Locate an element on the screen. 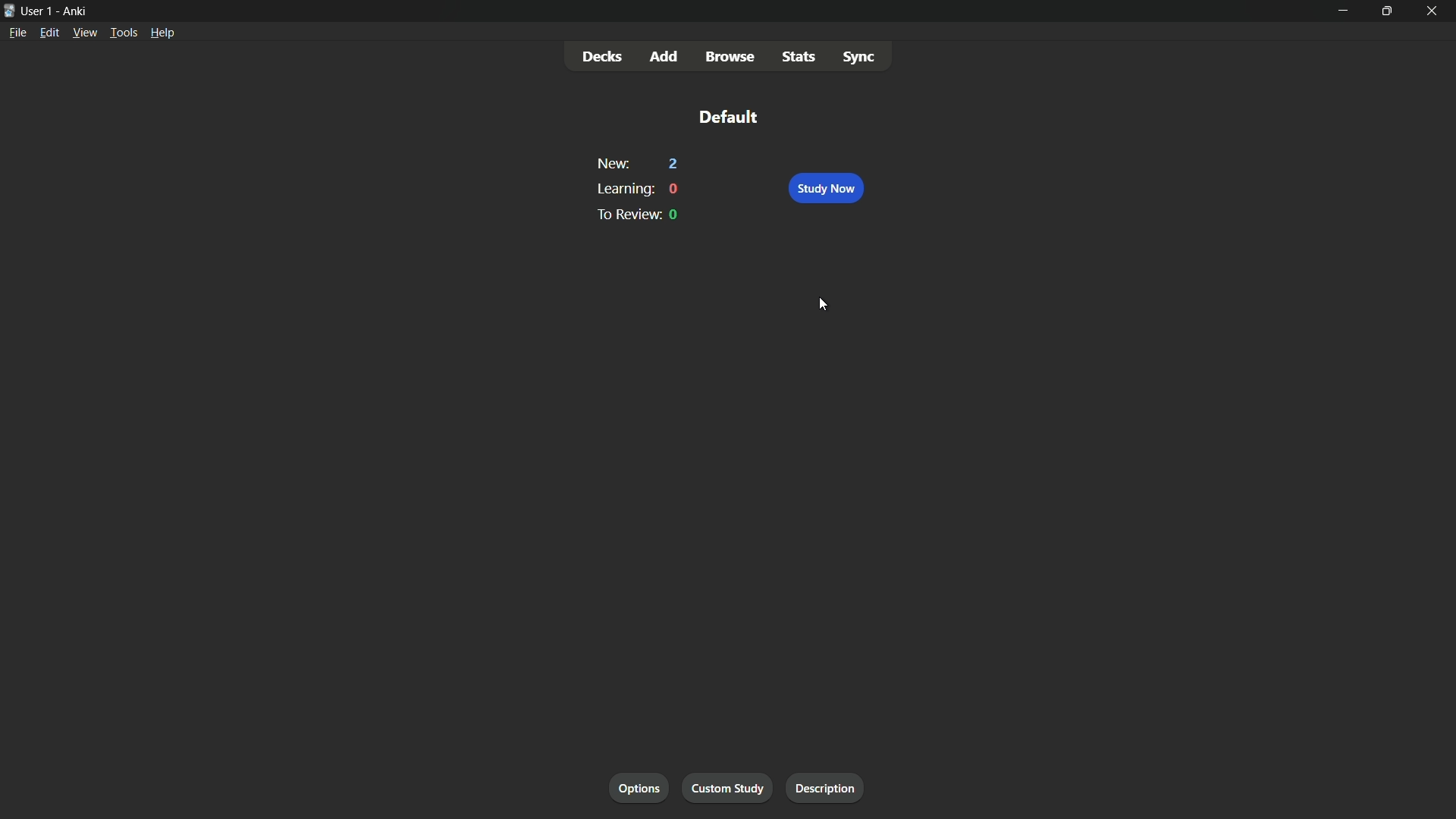 The width and height of the screenshot is (1456, 819). study now is located at coordinates (829, 187).